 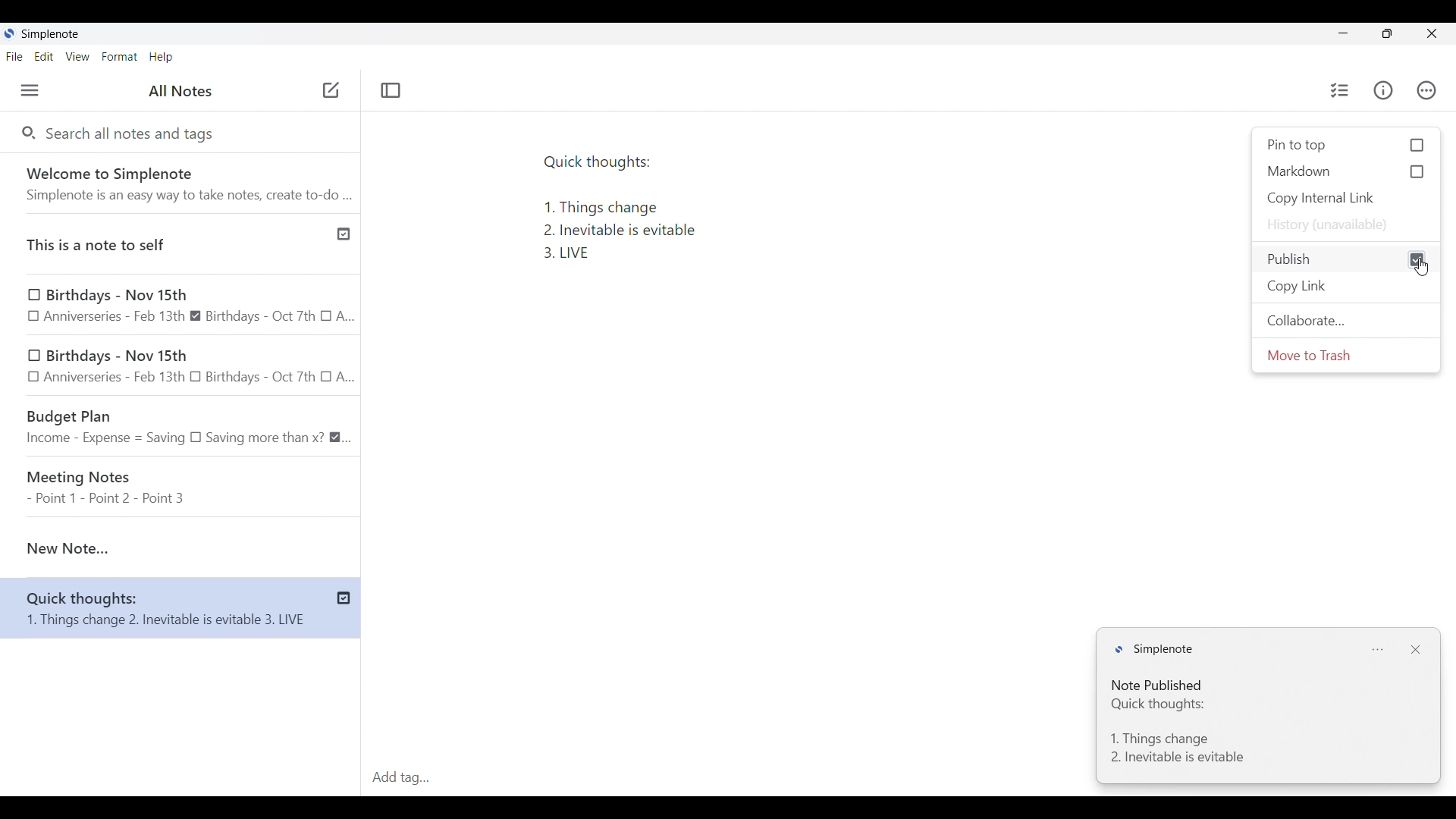 I want to click on Note text, so click(x=1264, y=730).